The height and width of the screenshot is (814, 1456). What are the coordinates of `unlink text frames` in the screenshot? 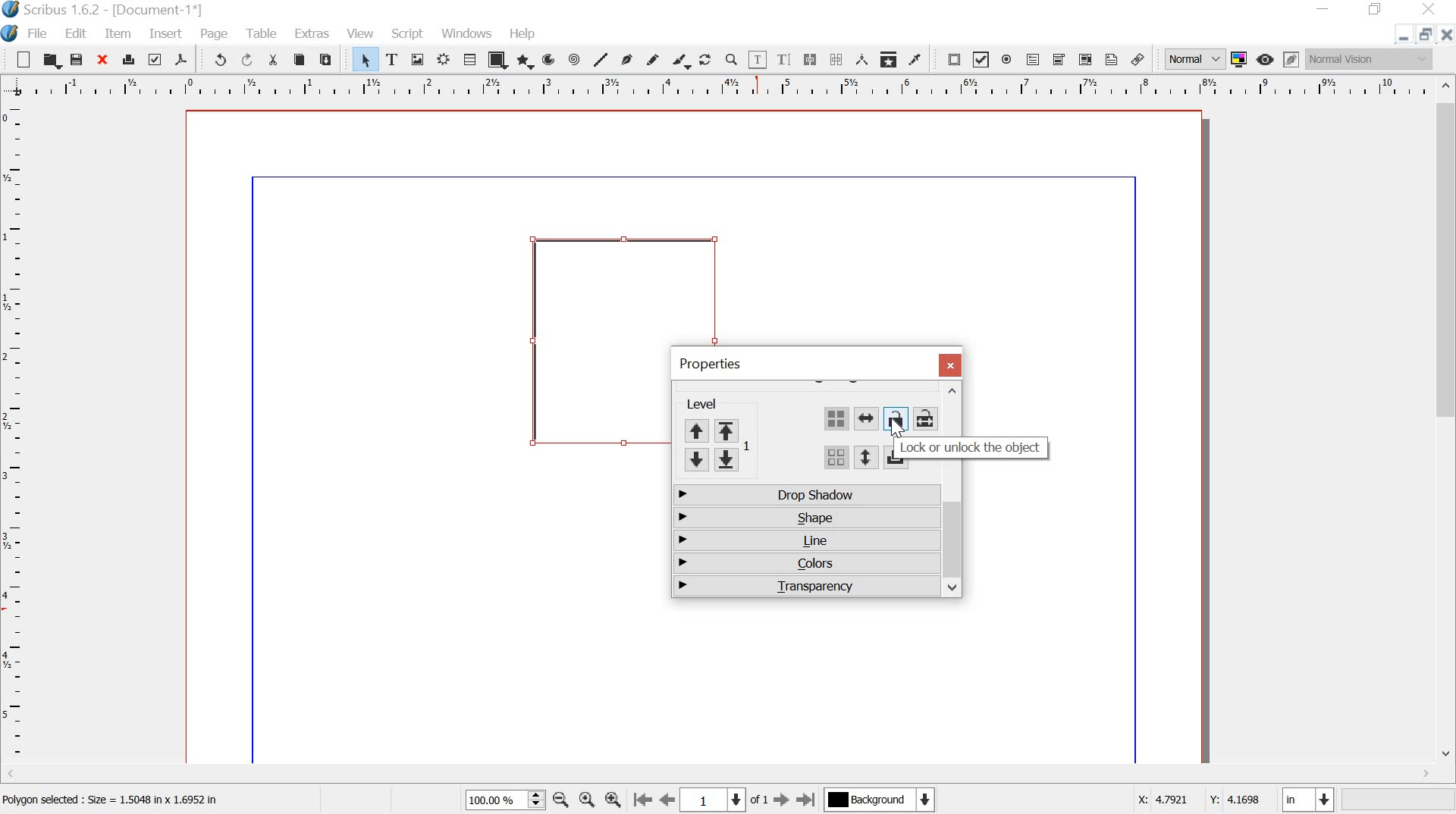 It's located at (836, 60).